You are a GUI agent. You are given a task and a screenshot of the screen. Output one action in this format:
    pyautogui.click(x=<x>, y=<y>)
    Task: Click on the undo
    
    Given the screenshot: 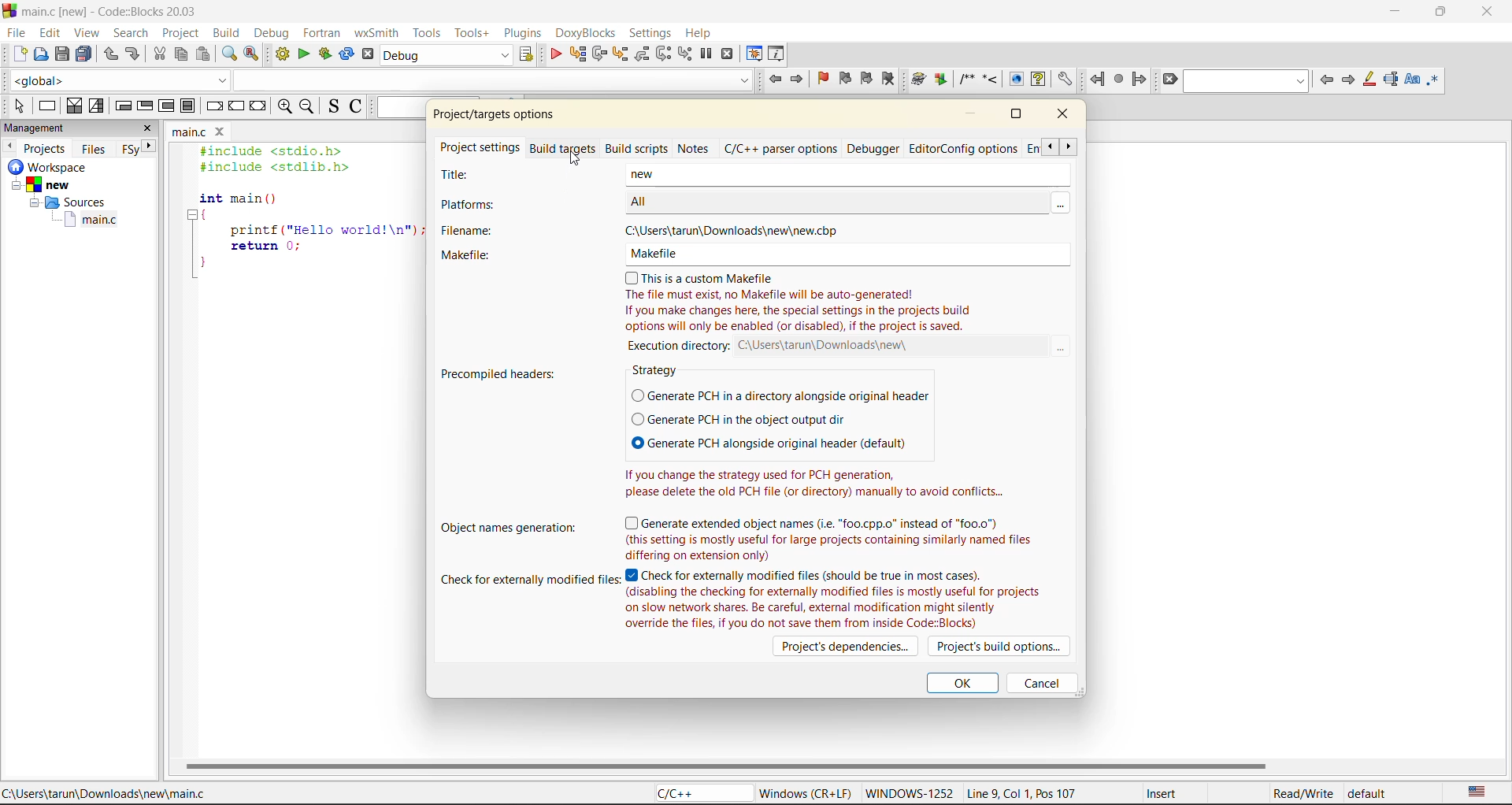 What is the action you would take?
    pyautogui.click(x=109, y=54)
    